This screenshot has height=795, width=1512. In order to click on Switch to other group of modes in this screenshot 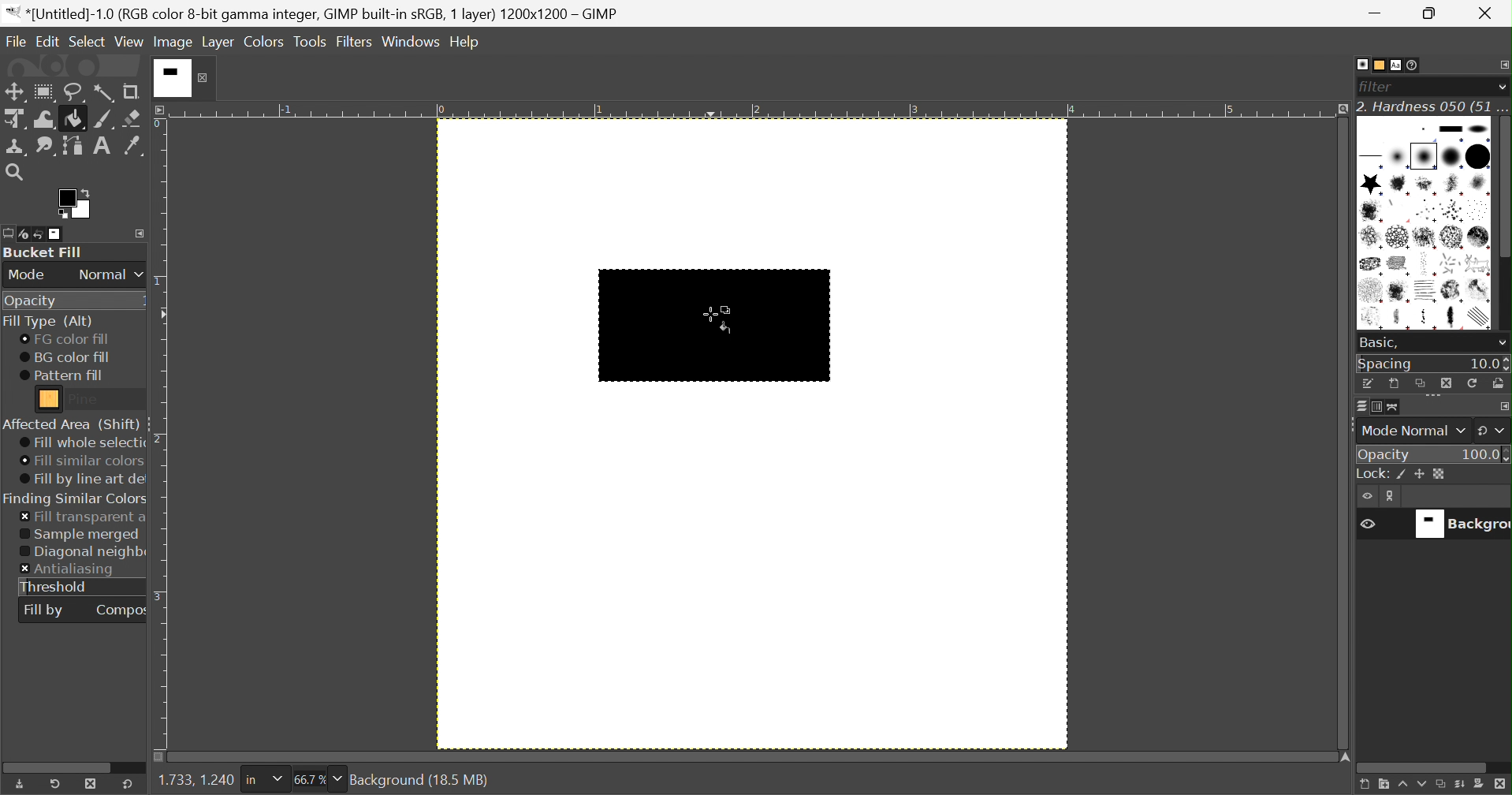, I will do `click(1493, 431)`.